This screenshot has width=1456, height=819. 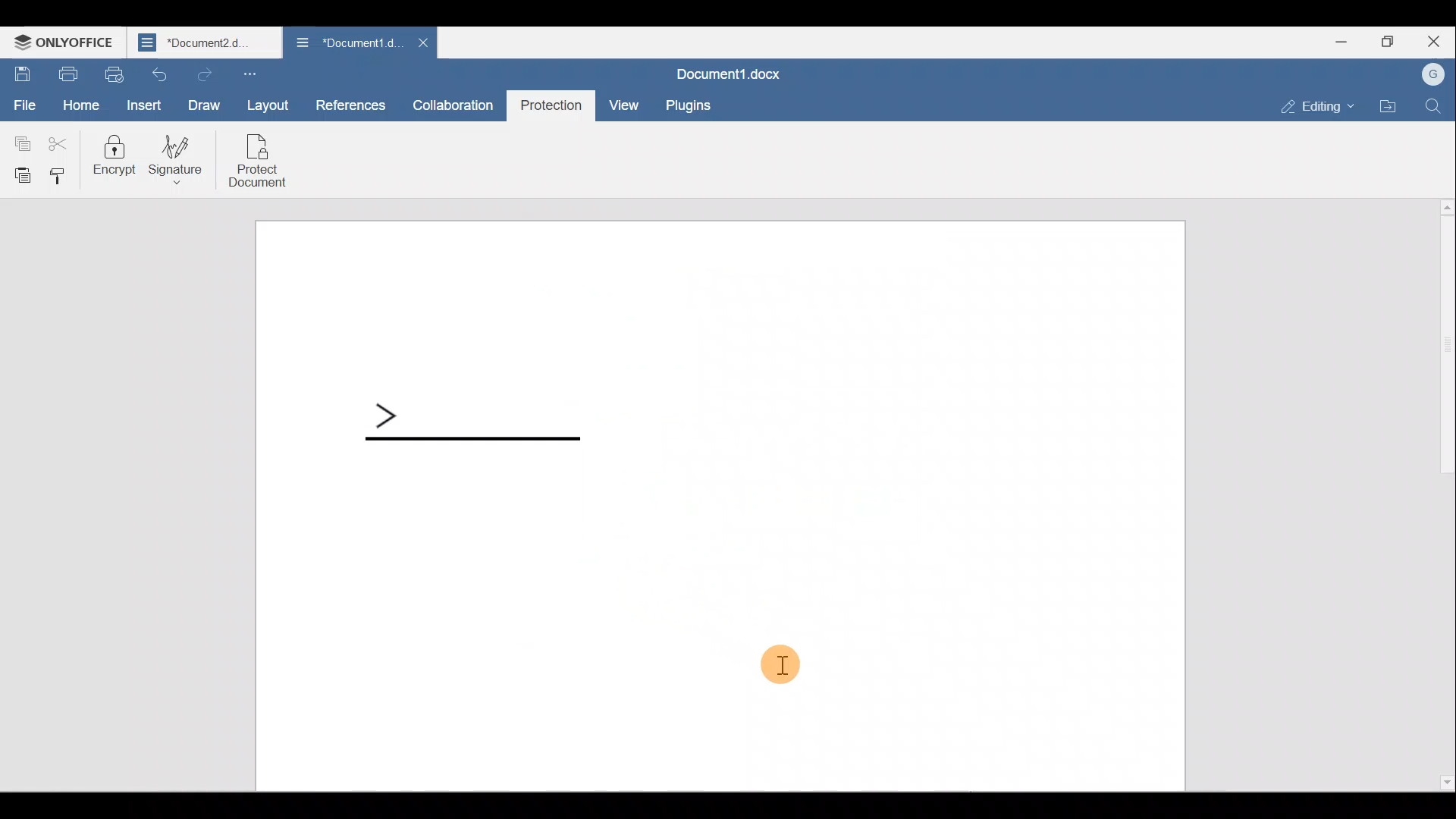 What do you see at coordinates (551, 106) in the screenshot?
I see `Protection` at bounding box center [551, 106].